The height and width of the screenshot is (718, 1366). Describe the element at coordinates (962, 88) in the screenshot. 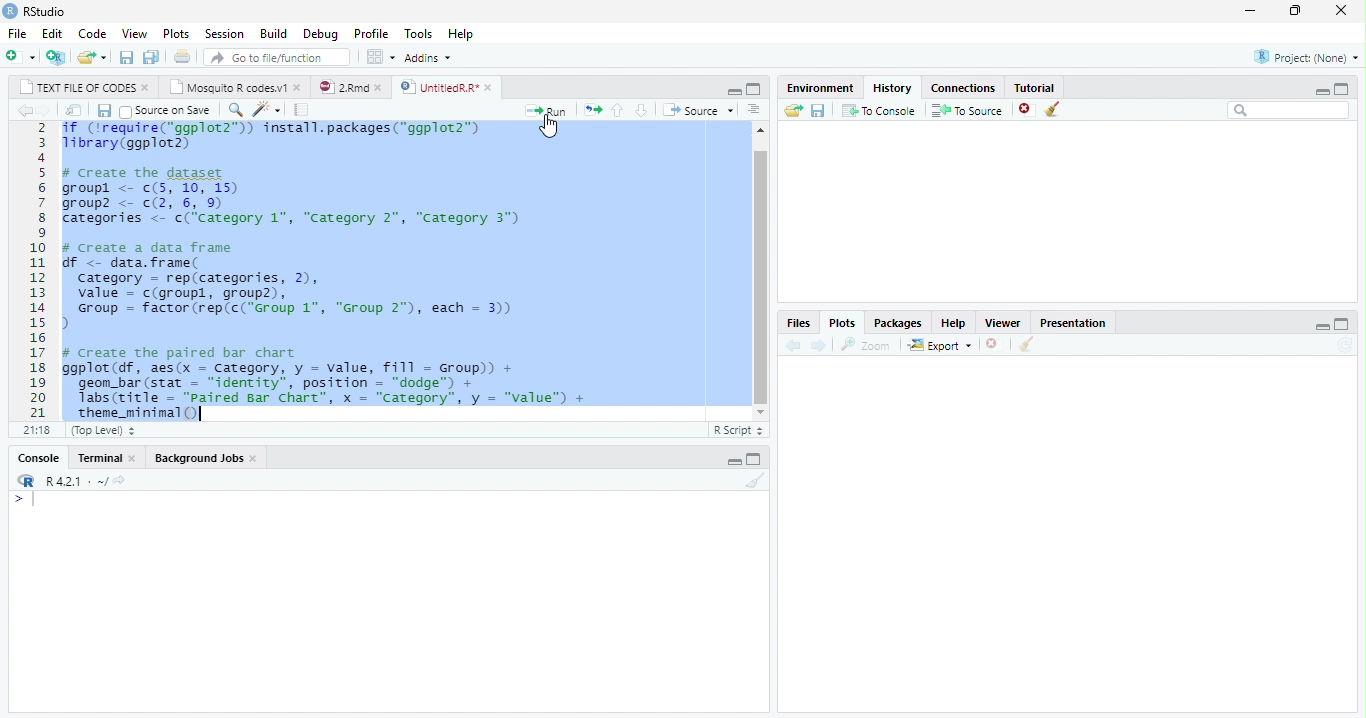

I see `connections` at that location.